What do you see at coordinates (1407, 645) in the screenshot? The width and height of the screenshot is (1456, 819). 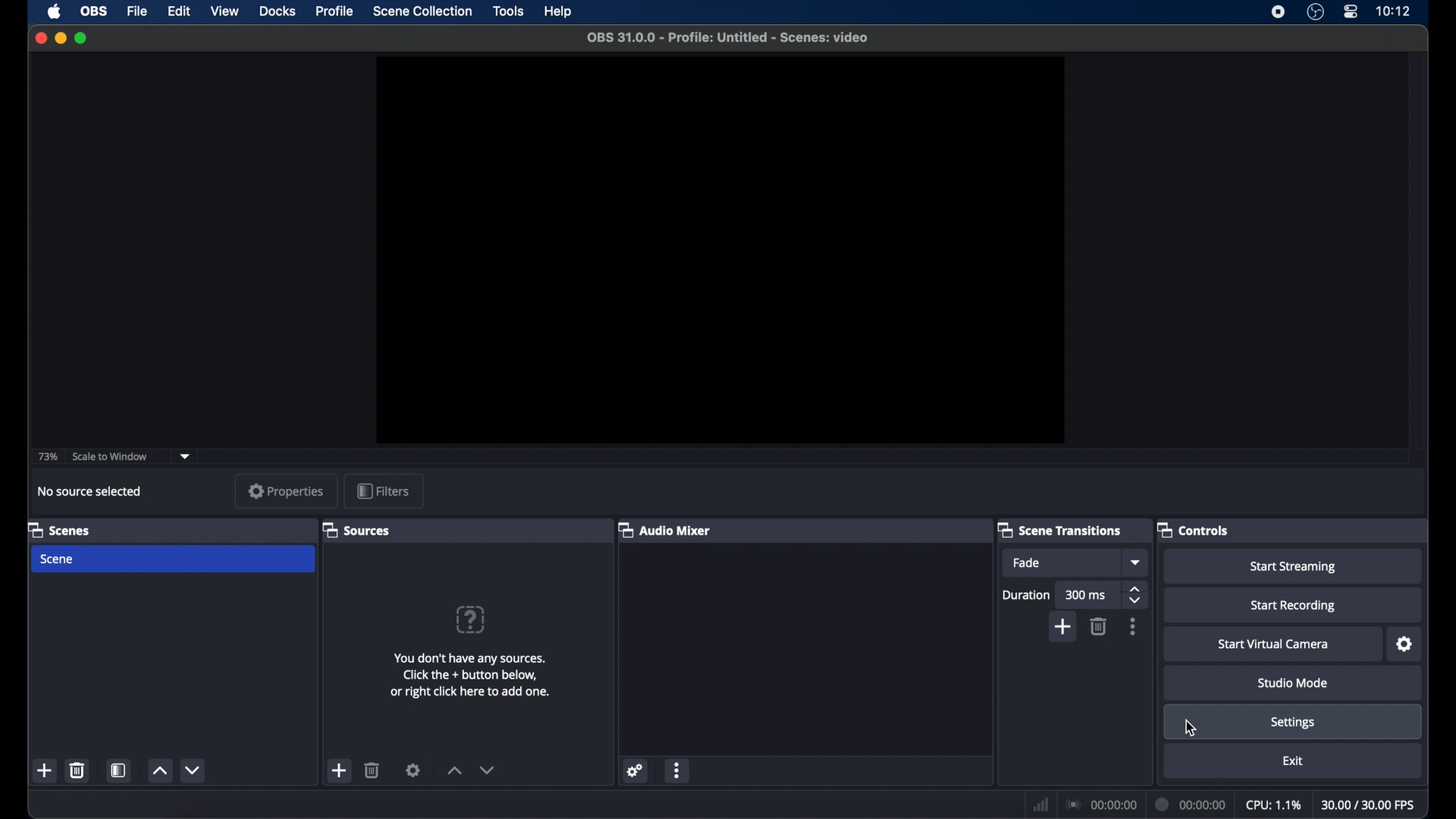 I see `settings` at bounding box center [1407, 645].